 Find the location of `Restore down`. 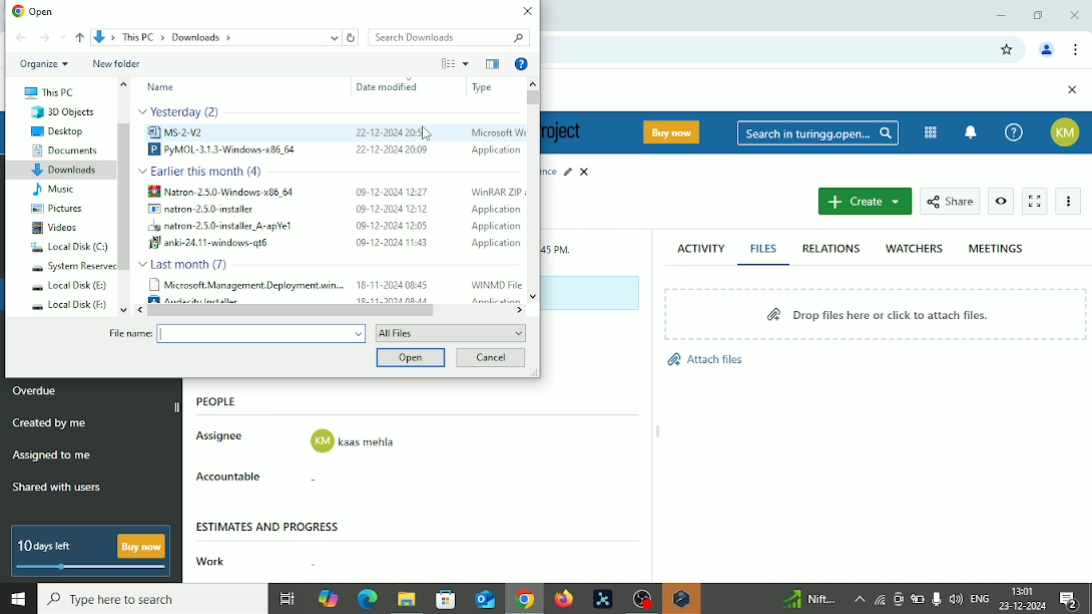

Restore down is located at coordinates (1040, 14).